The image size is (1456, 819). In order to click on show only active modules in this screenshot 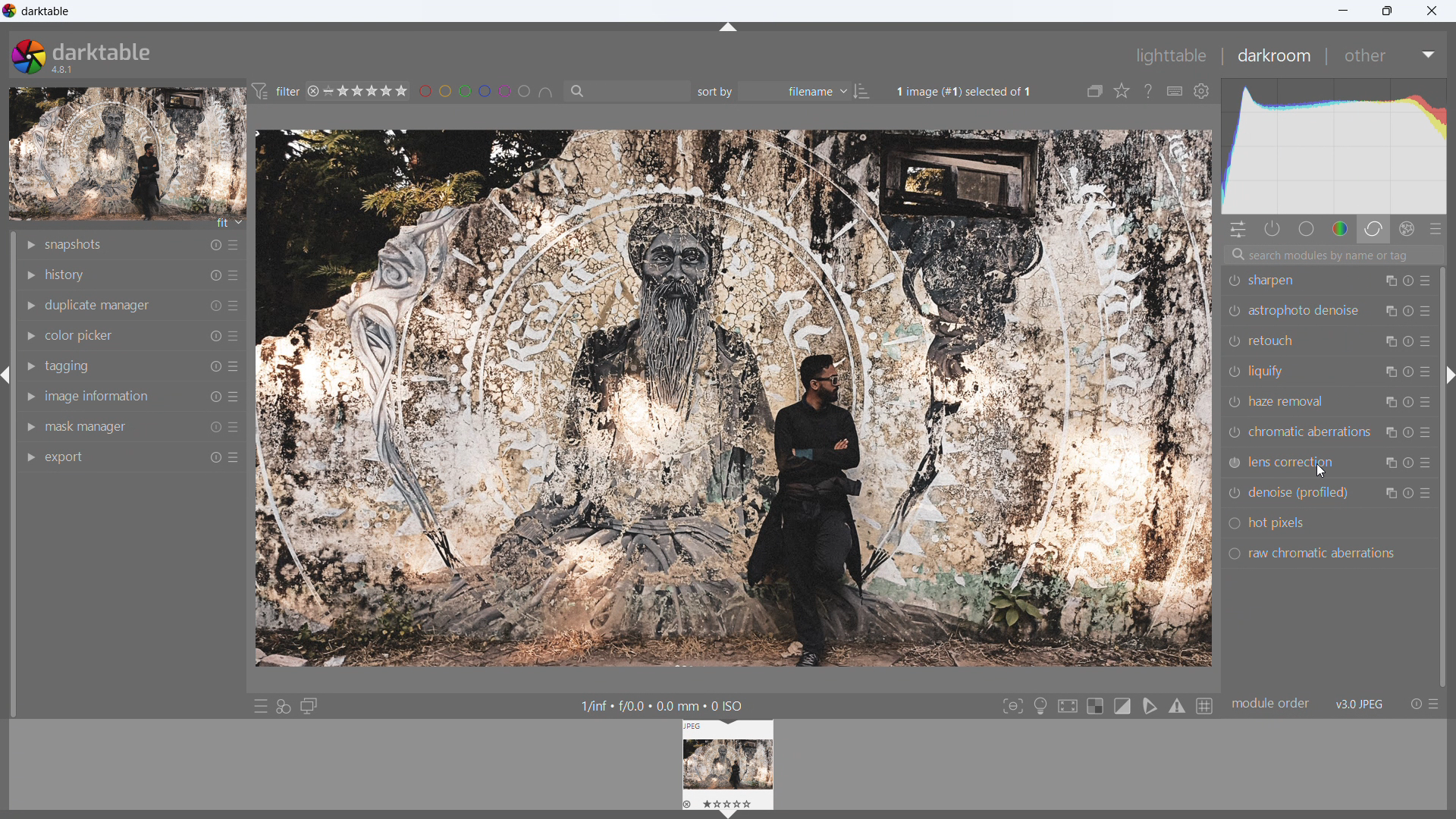, I will do `click(1272, 230)`.